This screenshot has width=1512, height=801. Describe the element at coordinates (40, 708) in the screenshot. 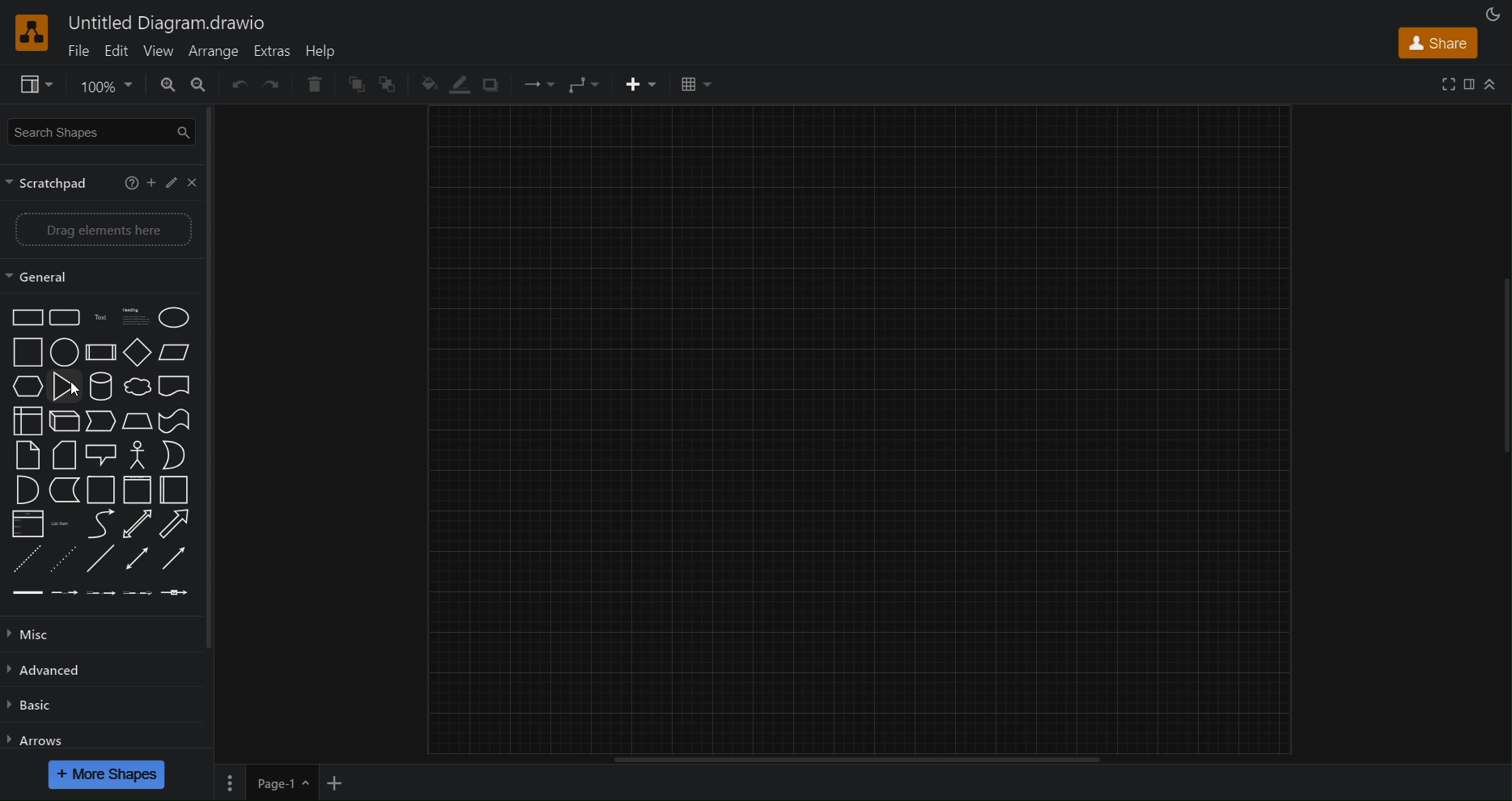

I see `Basic` at that location.